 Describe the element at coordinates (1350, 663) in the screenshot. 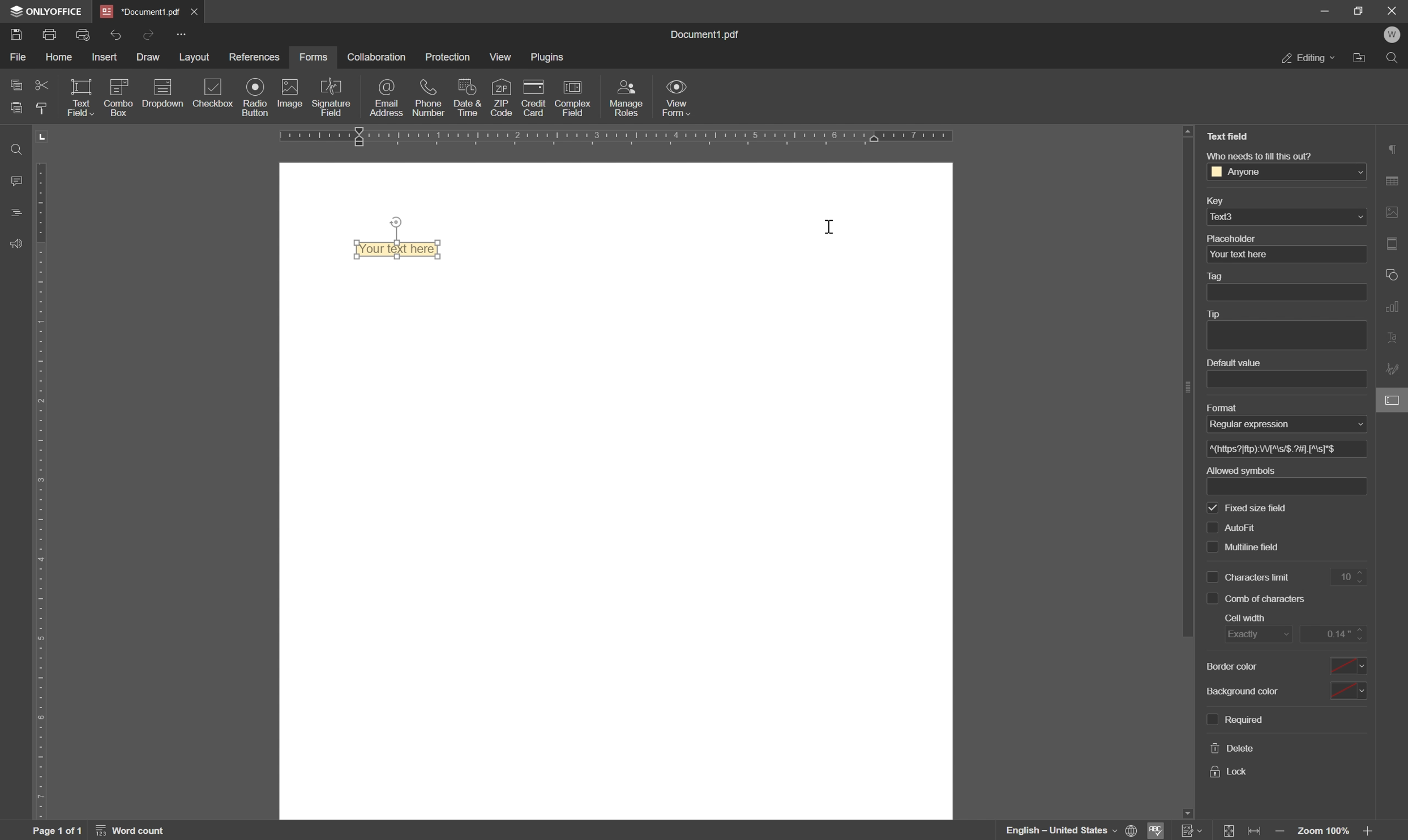

I see `select border color` at that location.